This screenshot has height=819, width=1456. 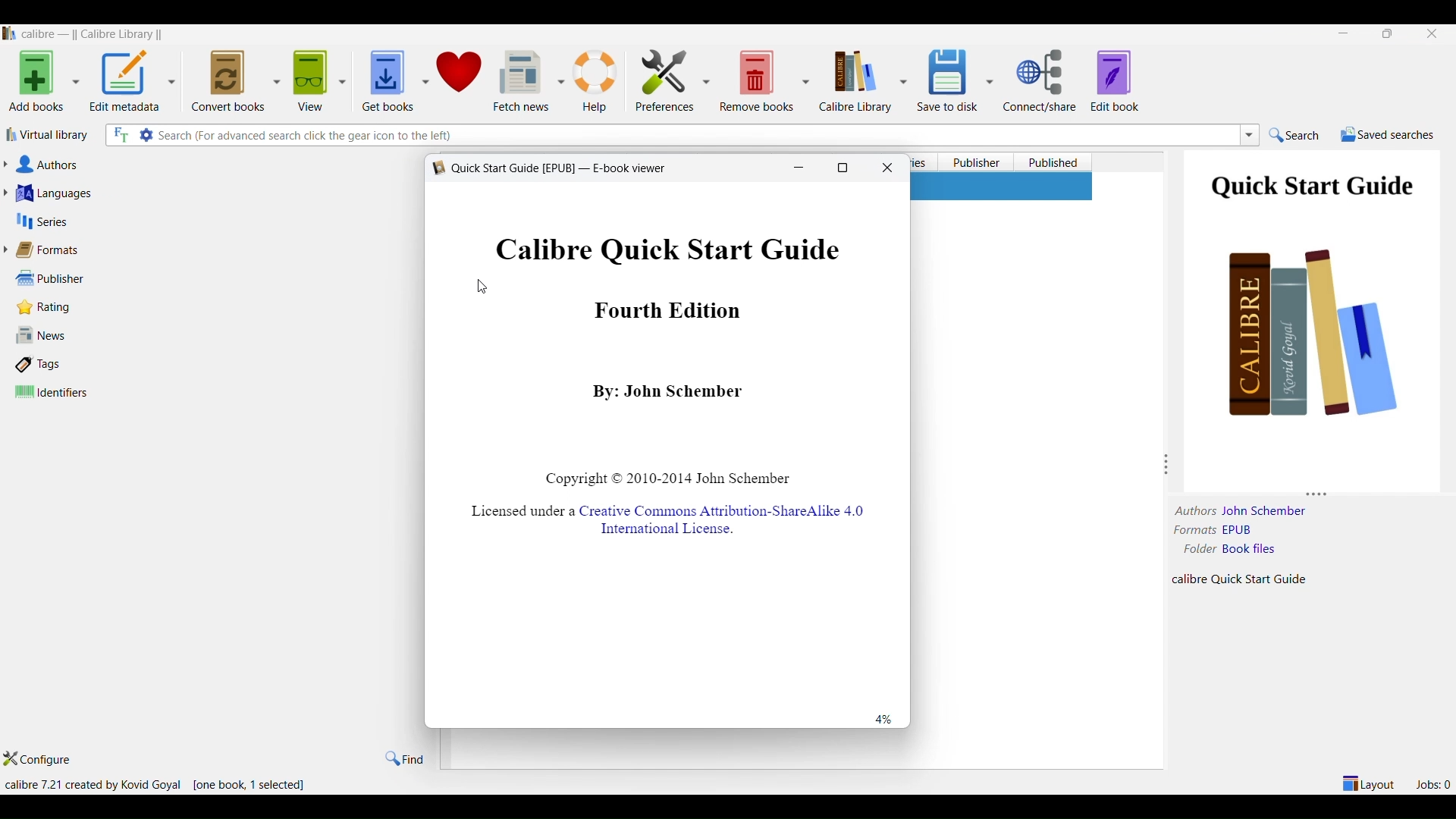 I want to click on folder, so click(x=1195, y=551).